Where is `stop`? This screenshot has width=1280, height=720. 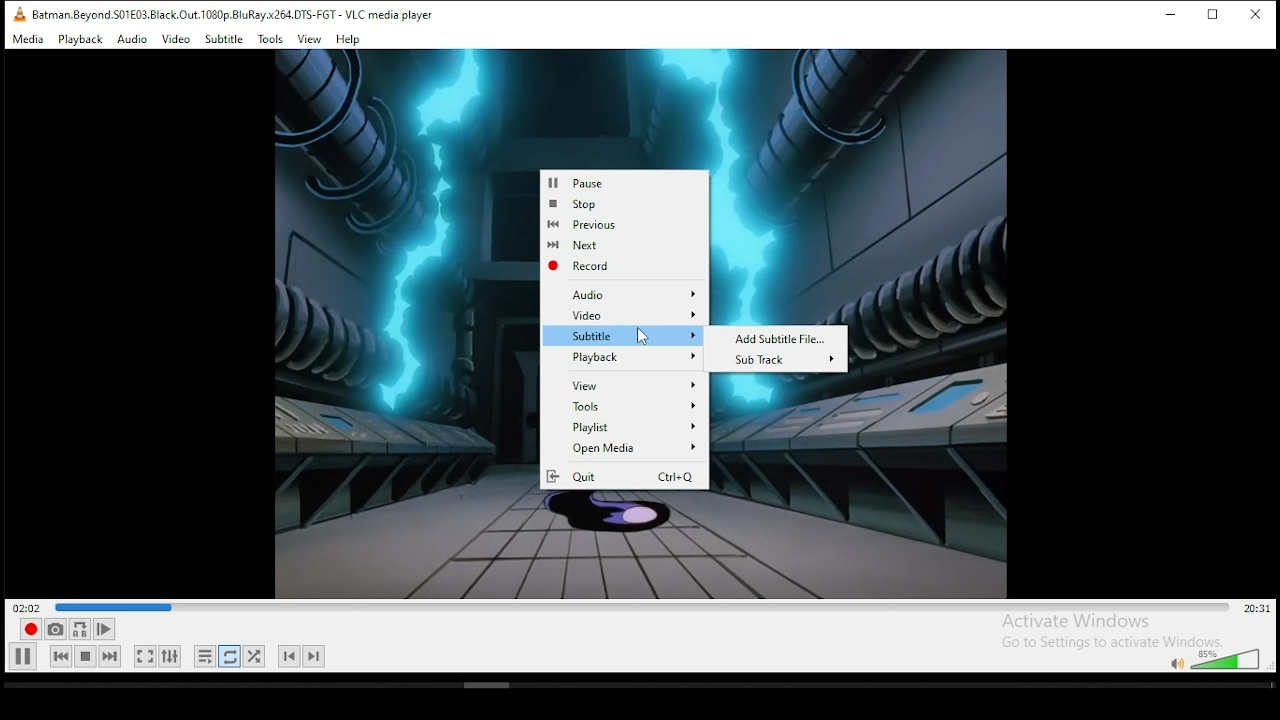
stop is located at coordinates (84, 656).